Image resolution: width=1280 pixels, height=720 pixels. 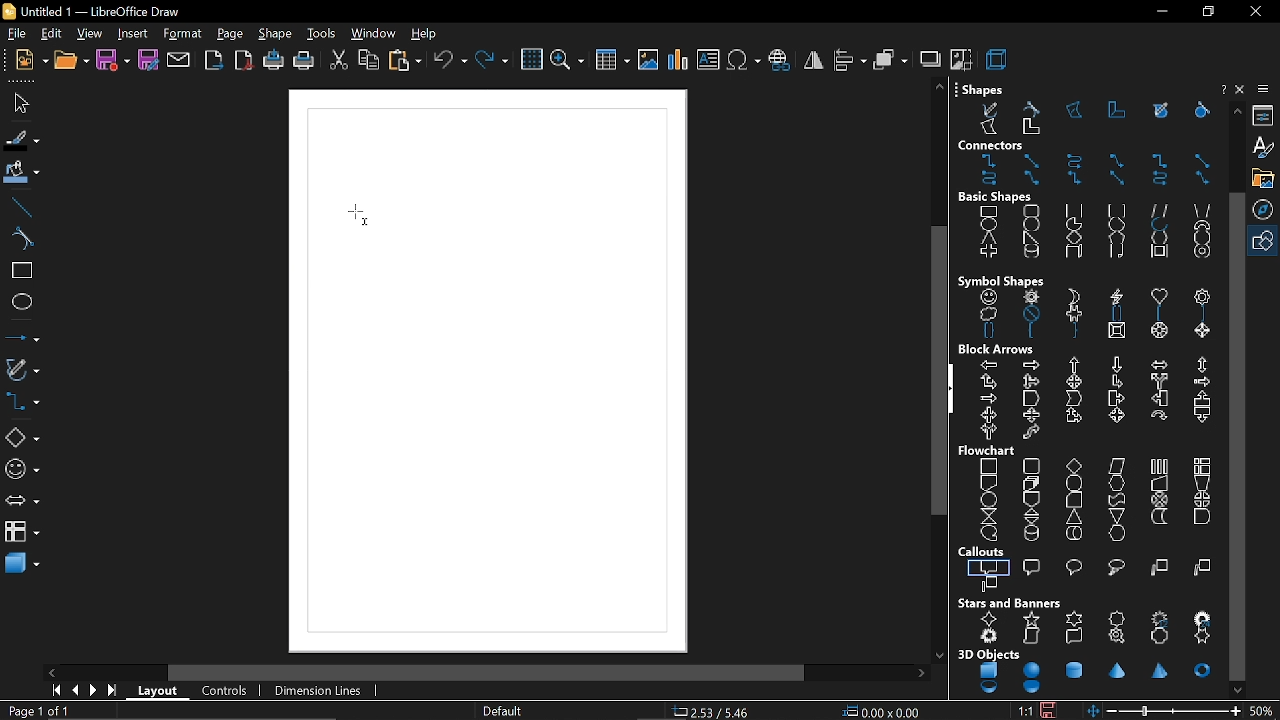 What do you see at coordinates (990, 364) in the screenshot?
I see `left arrow` at bounding box center [990, 364].